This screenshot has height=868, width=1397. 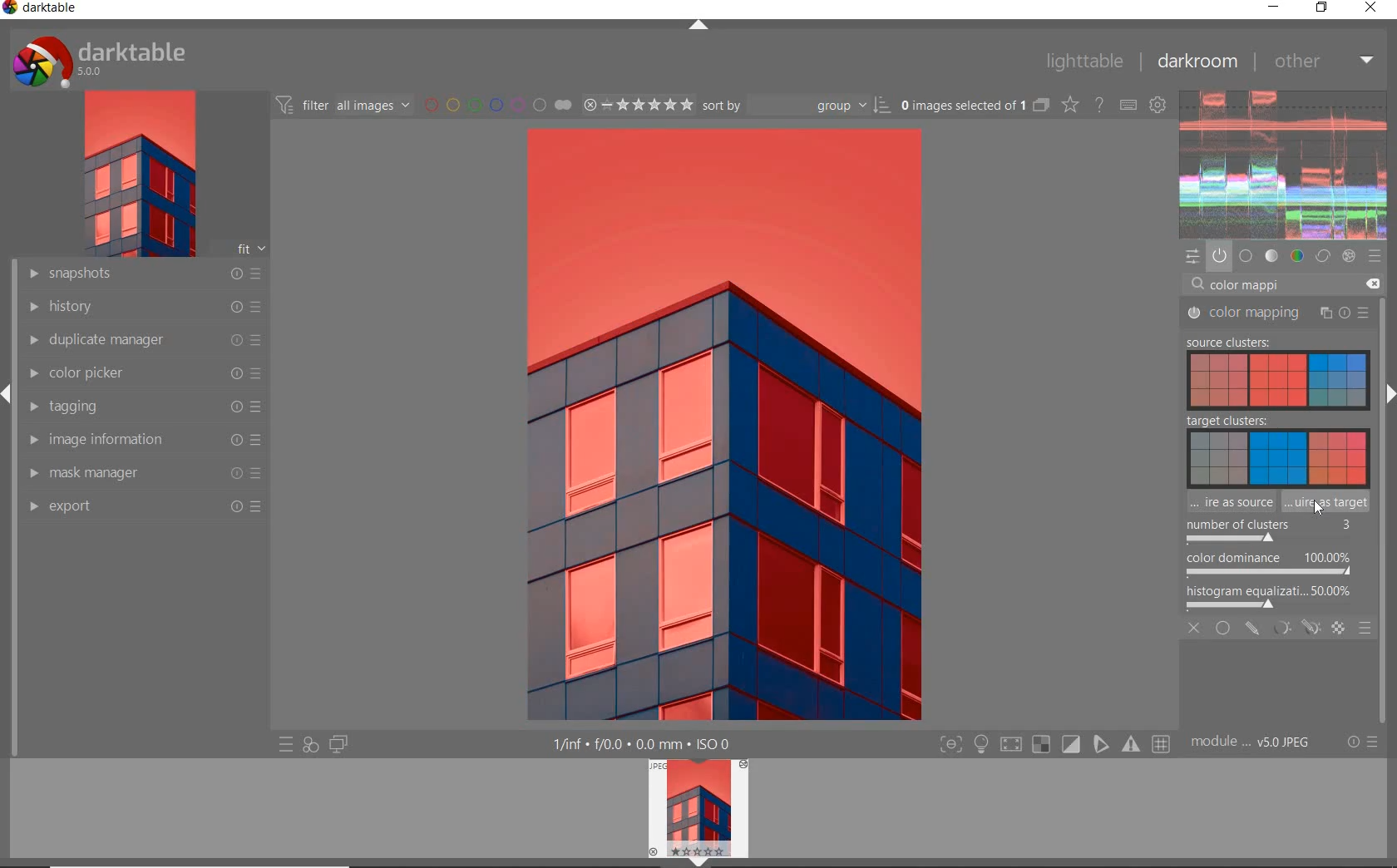 I want to click on scollbar, so click(x=1387, y=333).